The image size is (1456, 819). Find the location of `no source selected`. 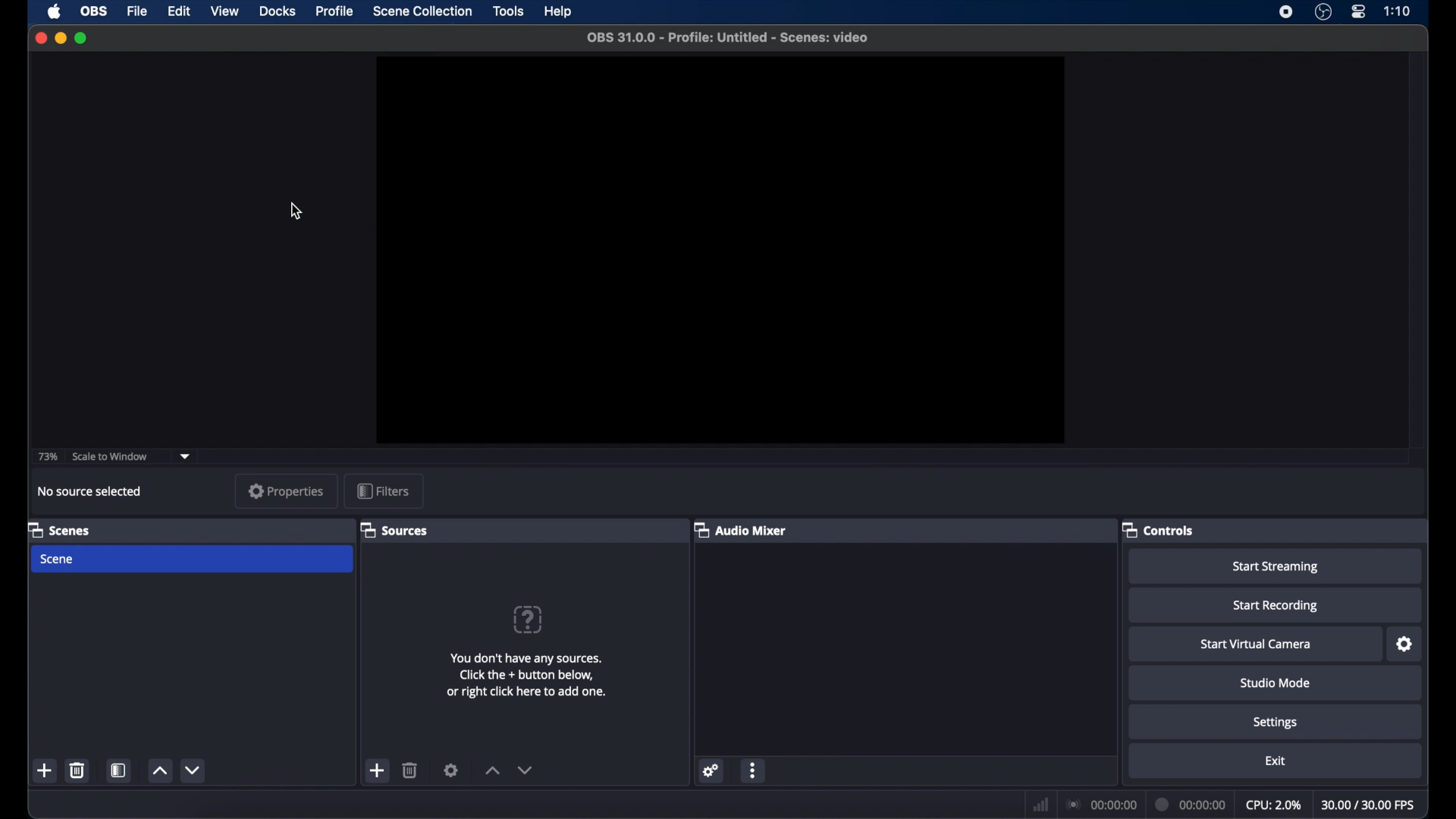

no source selected is located at coordinates (90, 491).